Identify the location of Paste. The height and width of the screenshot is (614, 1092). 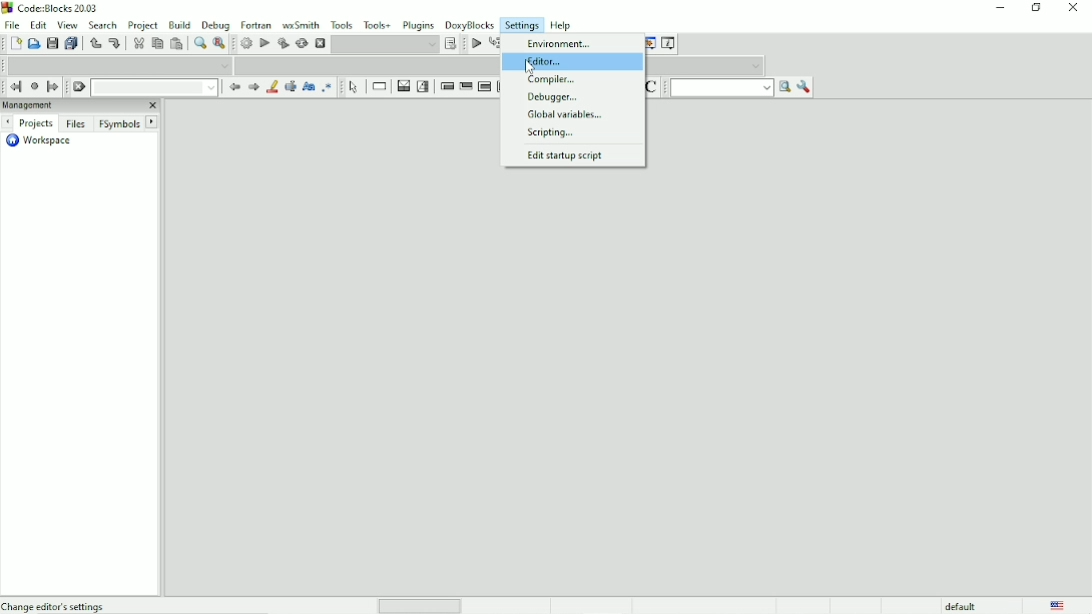
(176, 43).